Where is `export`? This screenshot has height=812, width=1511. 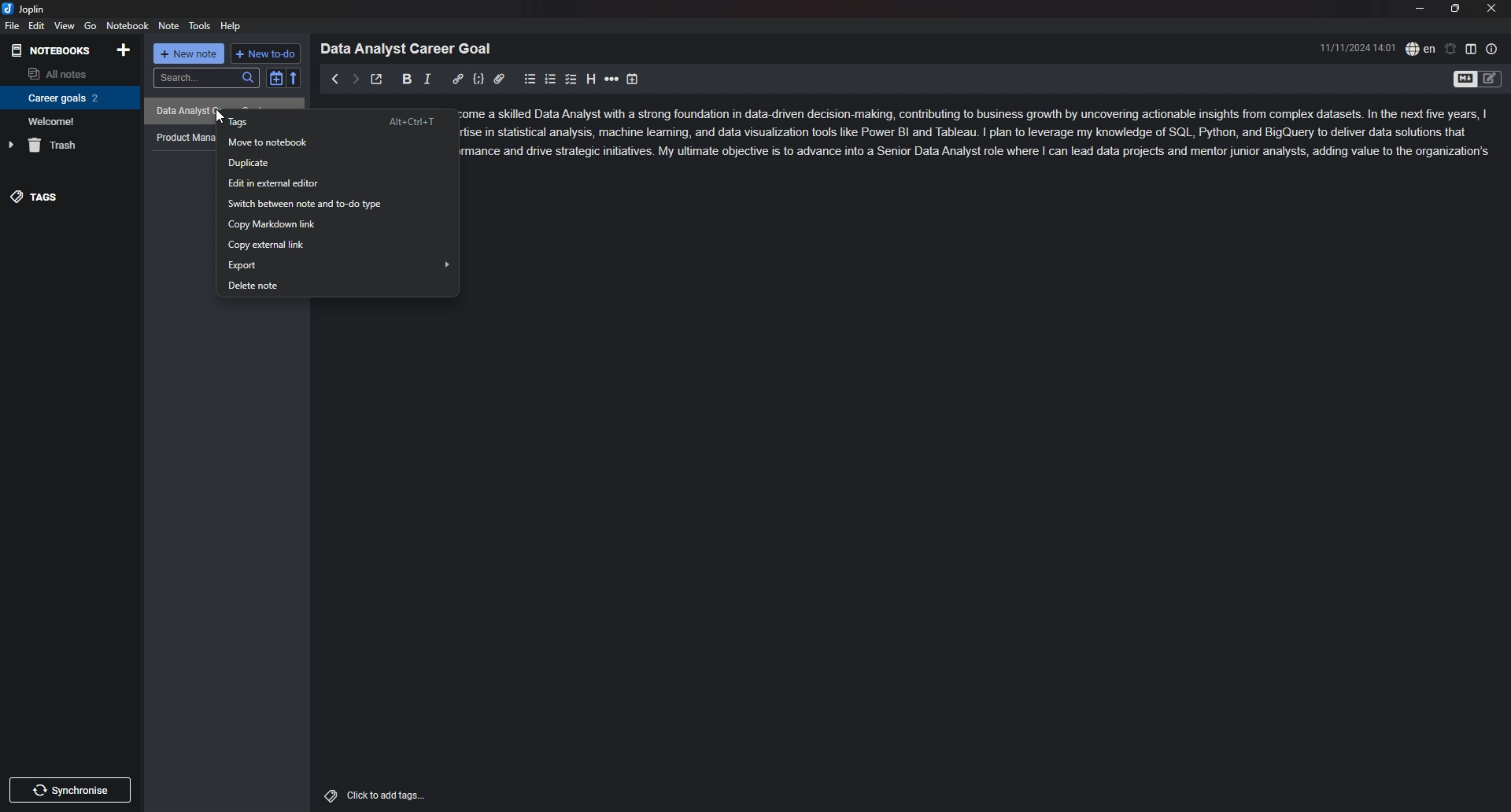 export is located at coordinates (338, 264).